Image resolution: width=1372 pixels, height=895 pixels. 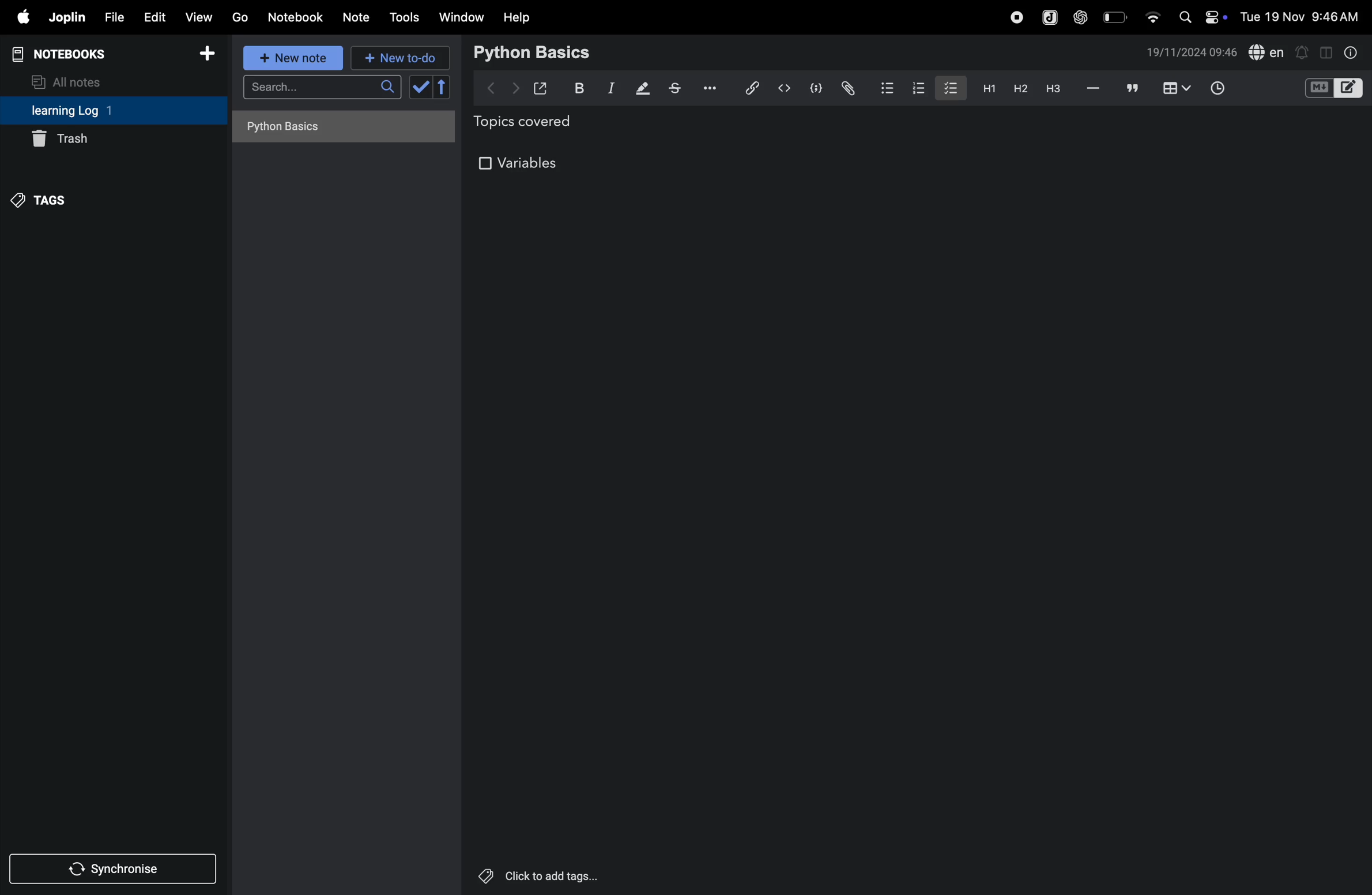 What do you see at coordinates (1231, 89) in the screenshot?
I see `add time` at bounding box center [1231, 89].